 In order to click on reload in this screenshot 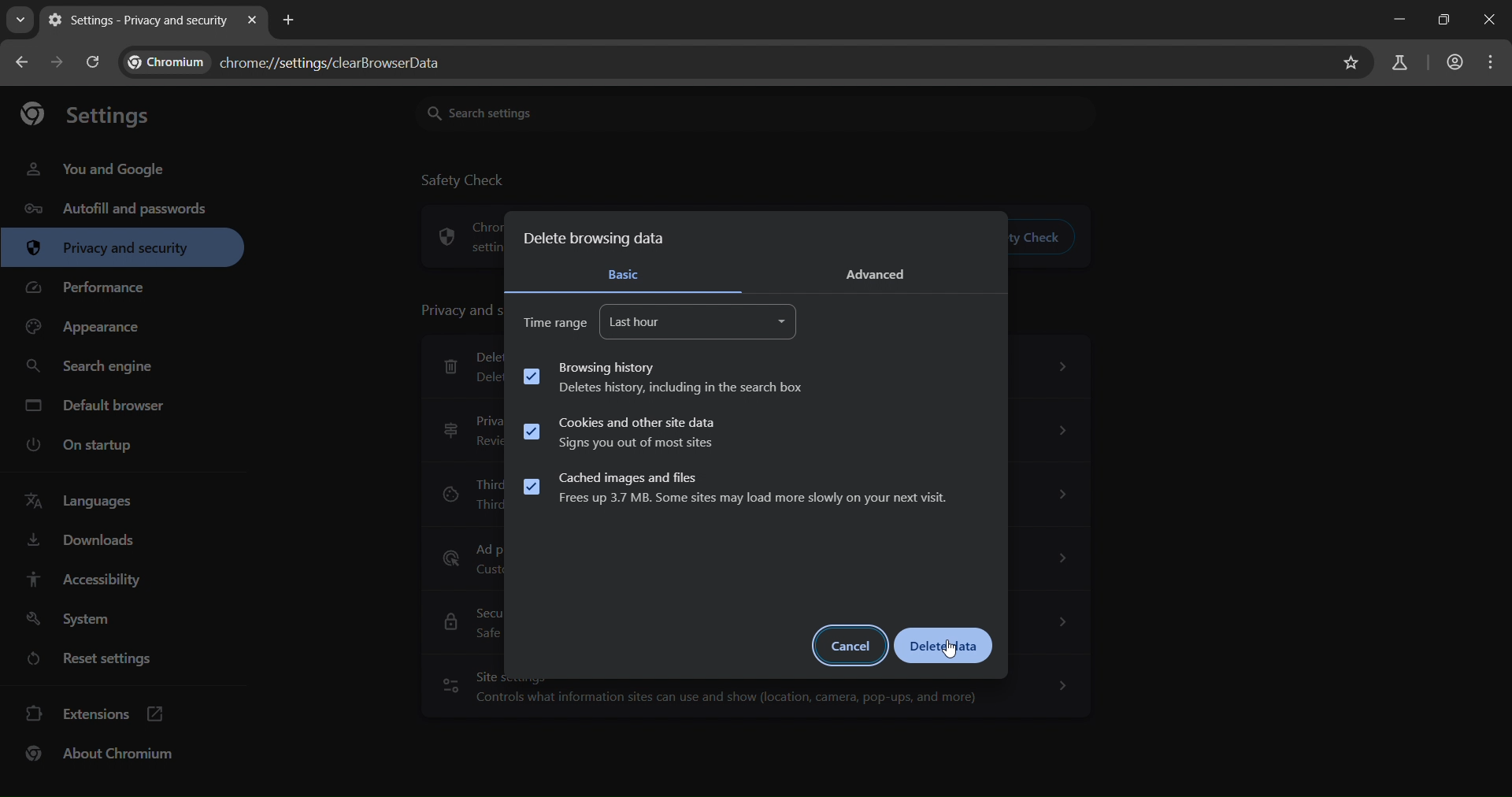, I will do `click(94, 61)`.